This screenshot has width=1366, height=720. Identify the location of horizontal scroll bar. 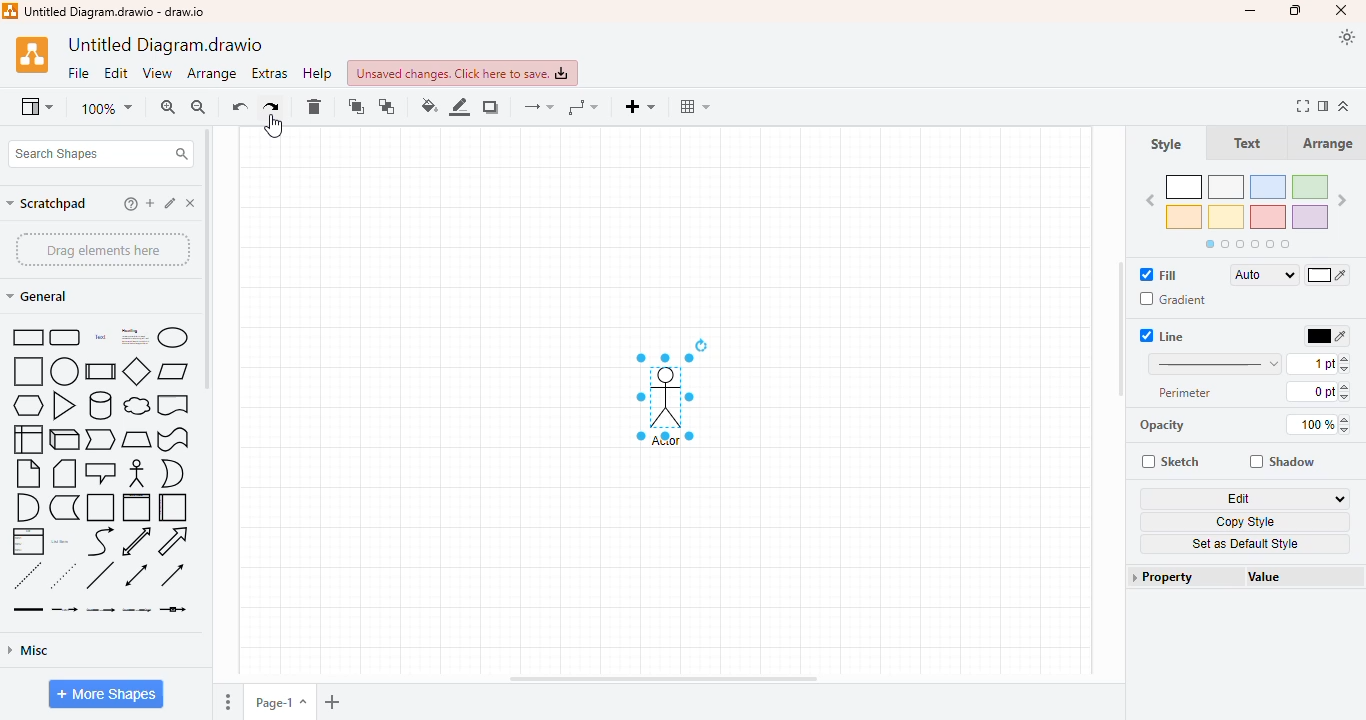
(663, 680).